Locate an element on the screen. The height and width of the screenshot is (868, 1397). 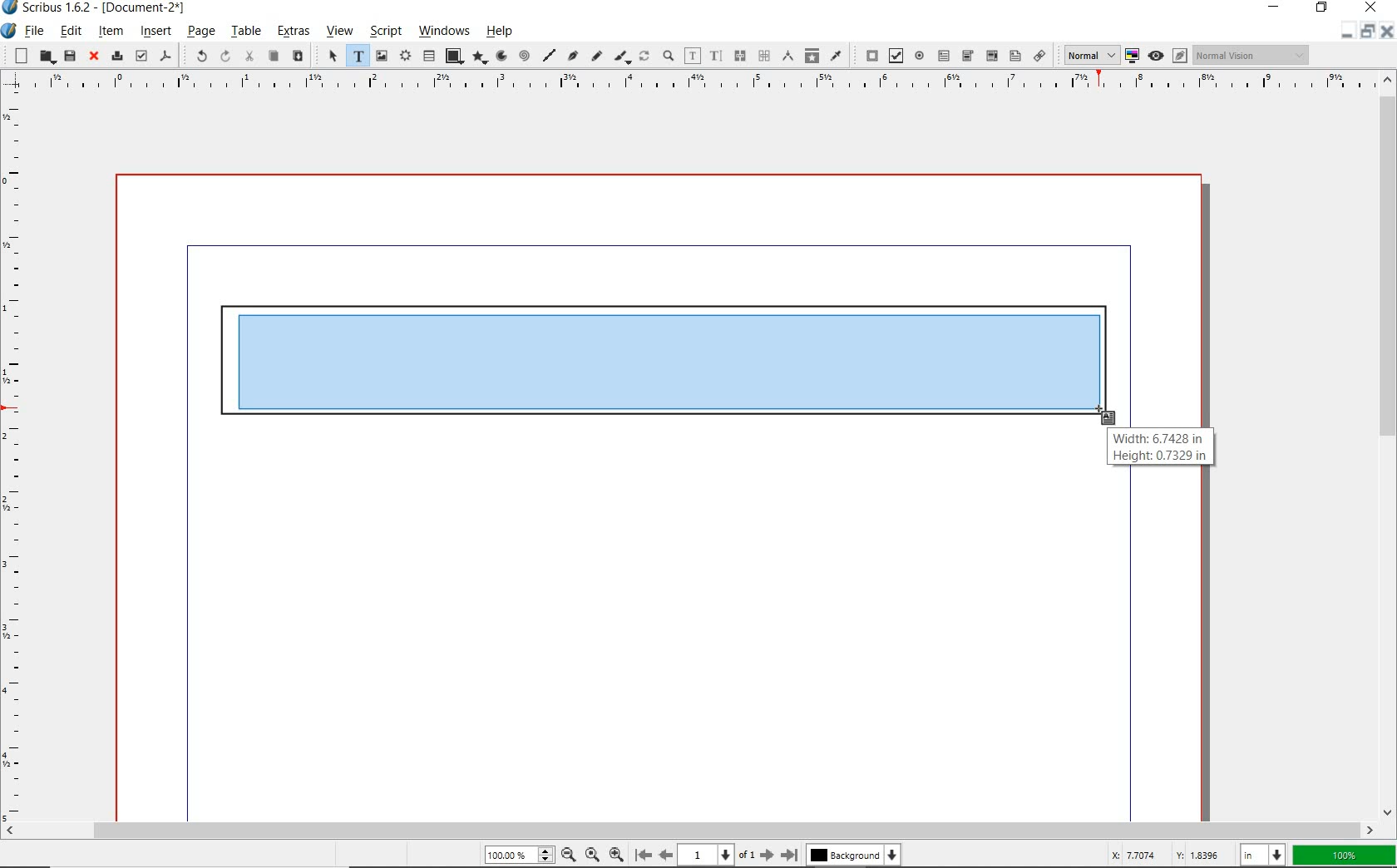
zoom level is located at coordinates (520, 856).